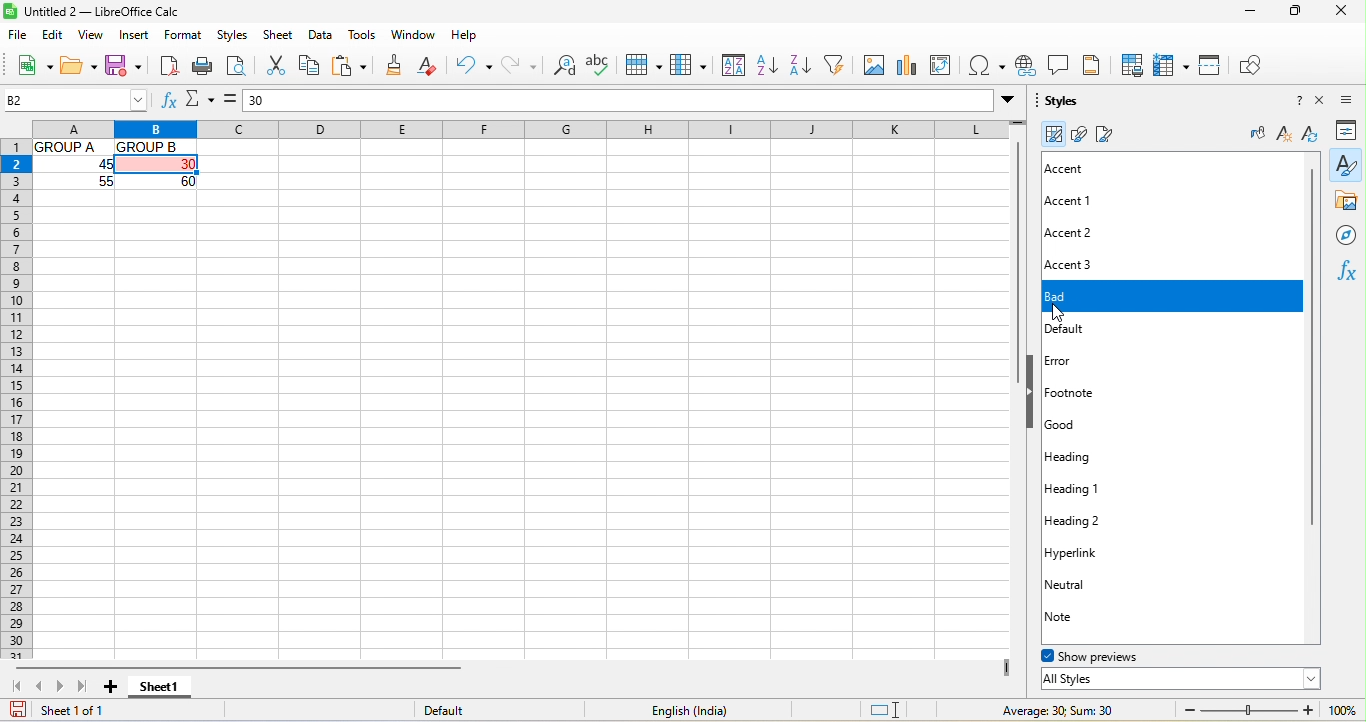 Image resolution: width=1366 pixels, height=722 pixels. I want to click on help, so click(1291, 103).